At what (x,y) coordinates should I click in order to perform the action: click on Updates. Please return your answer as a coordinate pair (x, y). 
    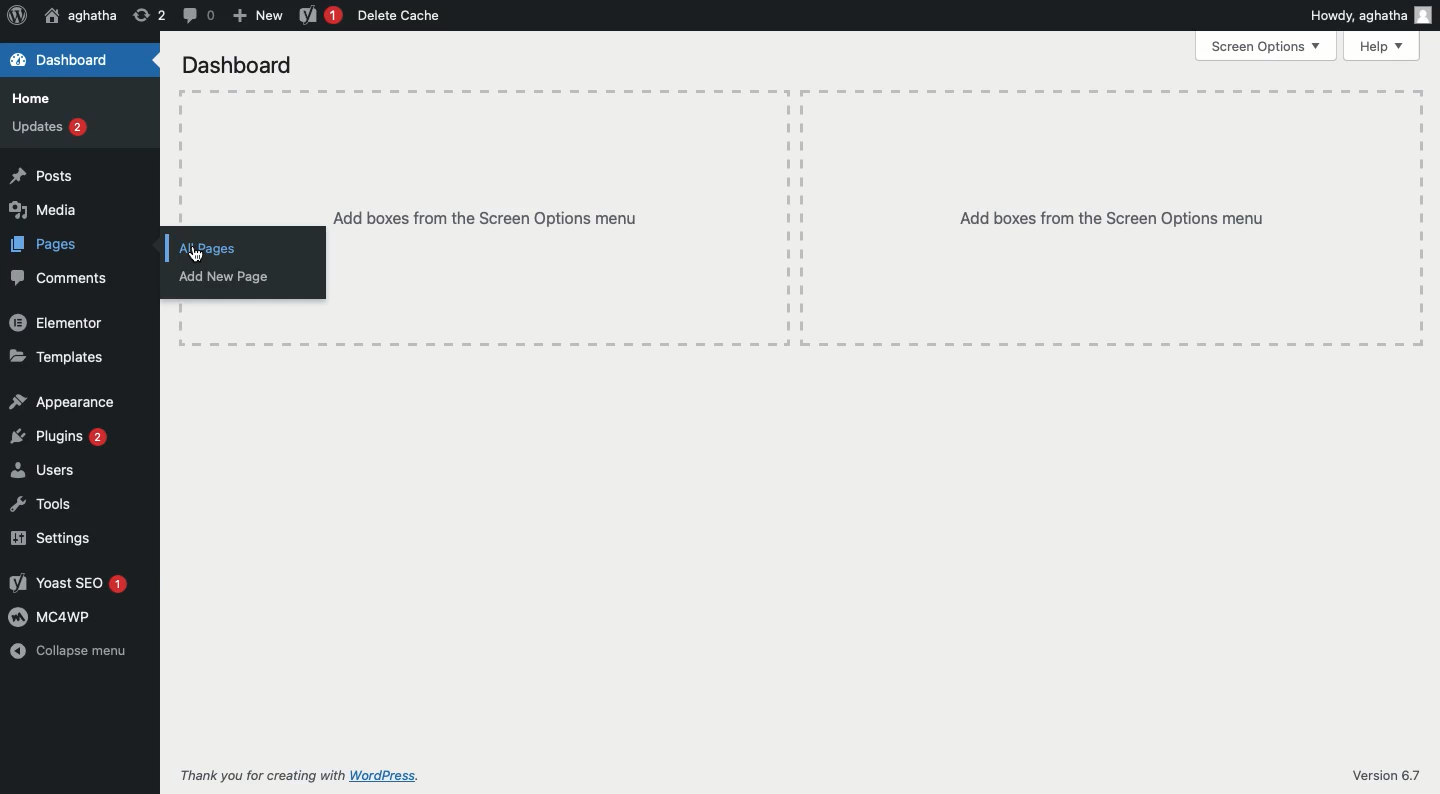
    Looking at the image, I should click on (72, 127).